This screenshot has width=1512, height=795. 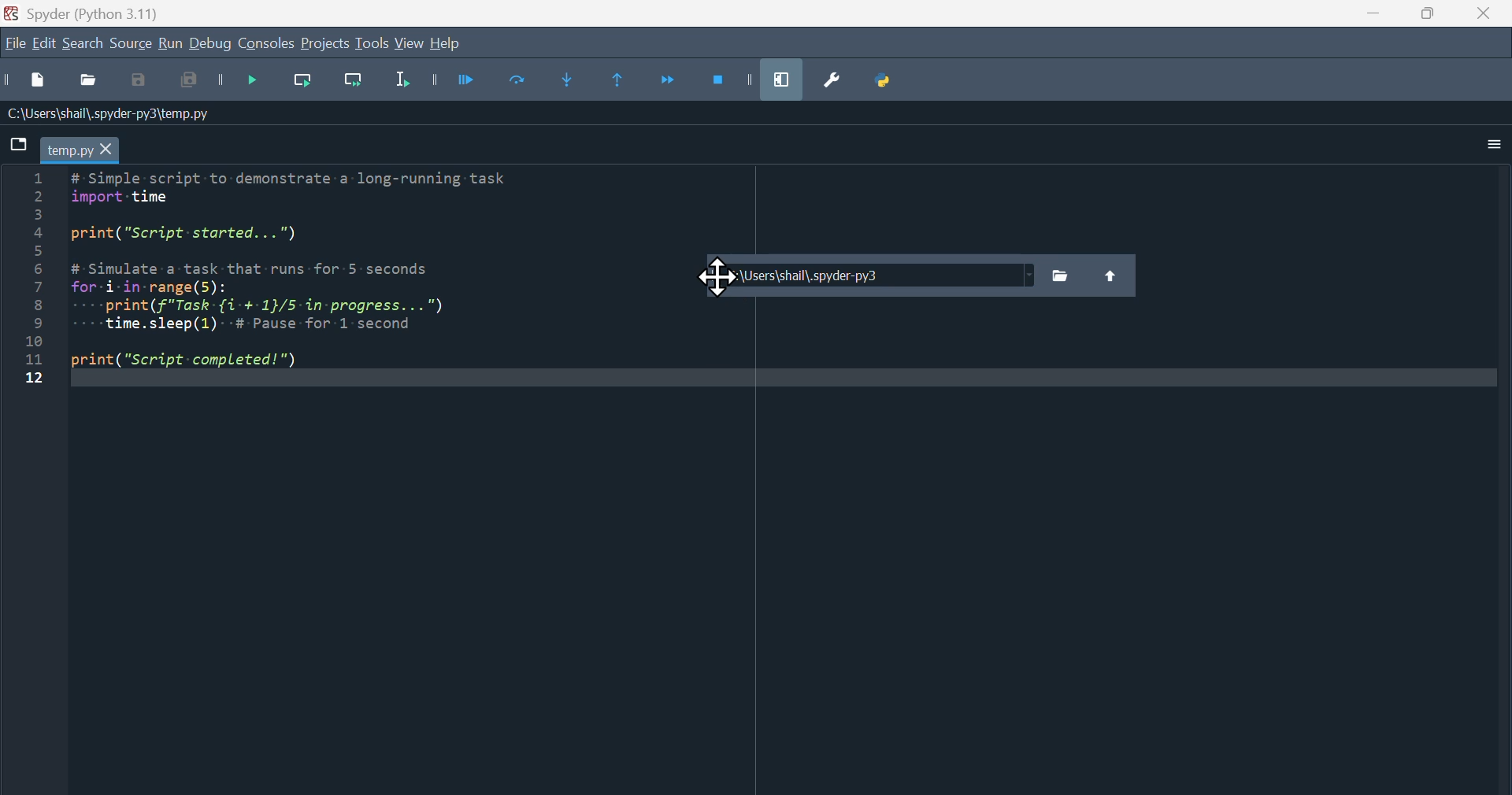 What do you see at coordinates (628, 83) in the screenshot?
I see `Continue execution until same function returns` at bounding box center [628, 83].